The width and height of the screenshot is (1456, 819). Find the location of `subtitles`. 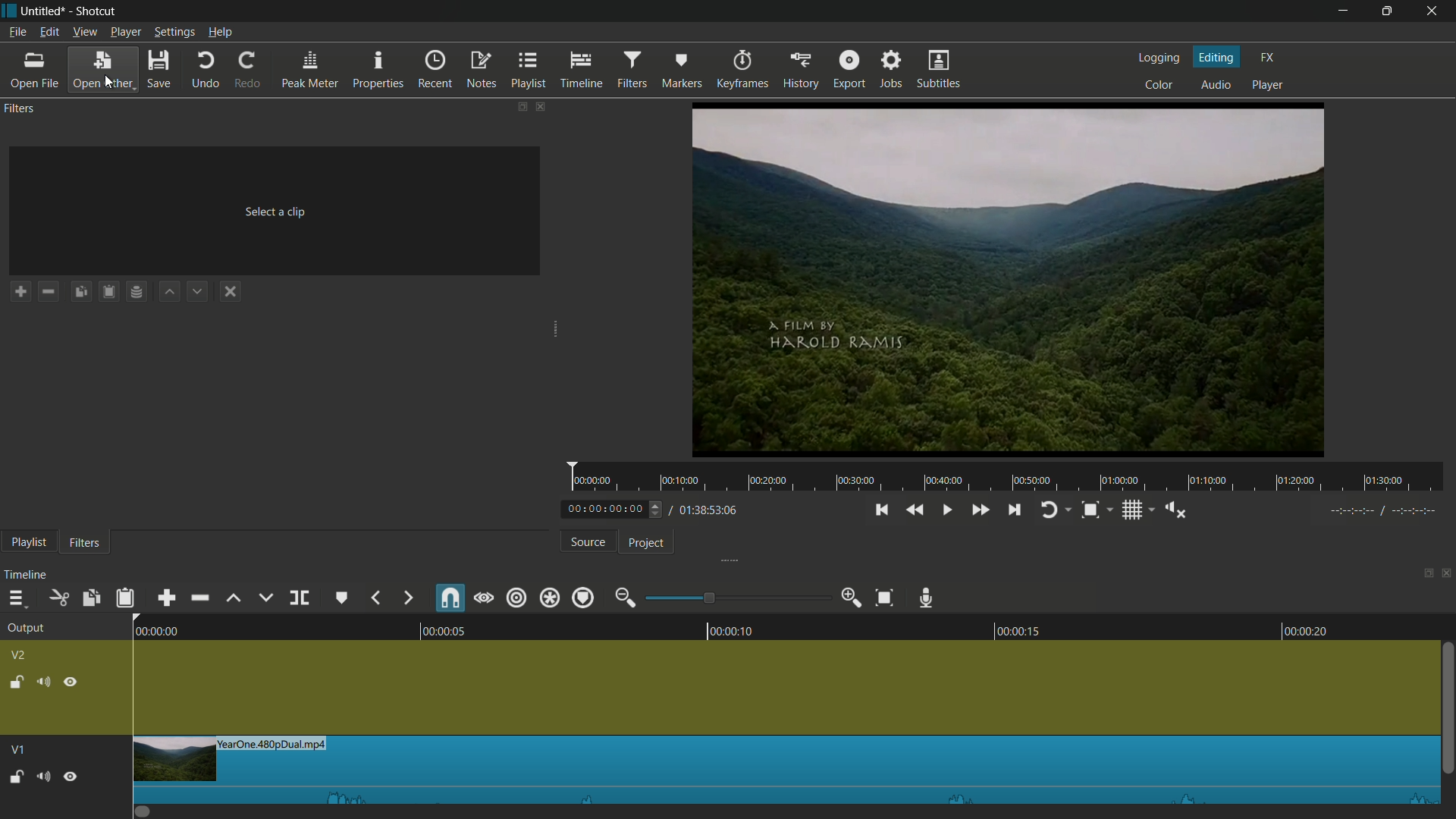

subtitles is located at coordinates (940, 71).